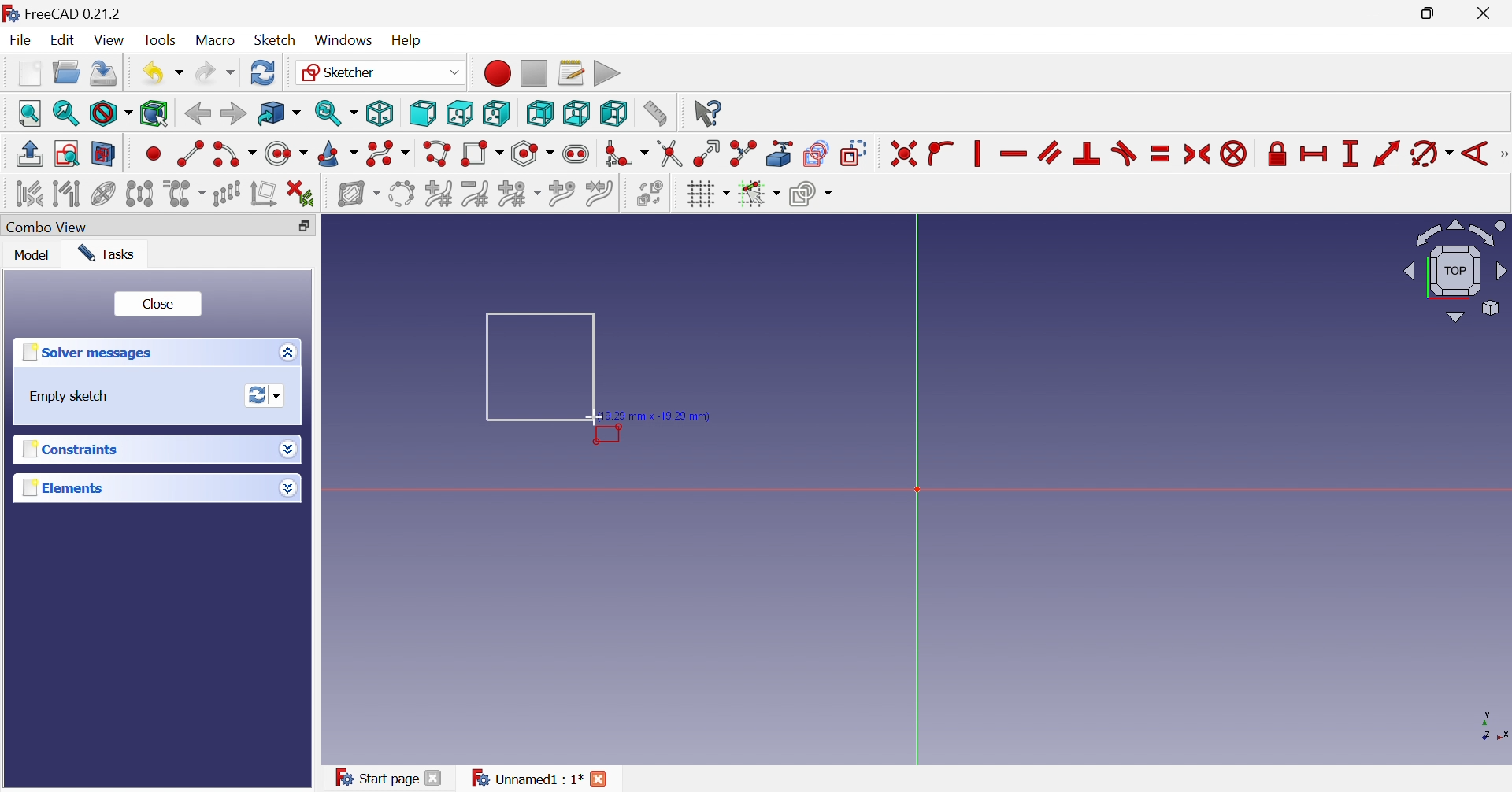 This screenshot has height=792, width=1512. What do you see at coordinates (532, 72) in the screenshot?
I see `Stop macro recording` at bounding box center [532, 72].